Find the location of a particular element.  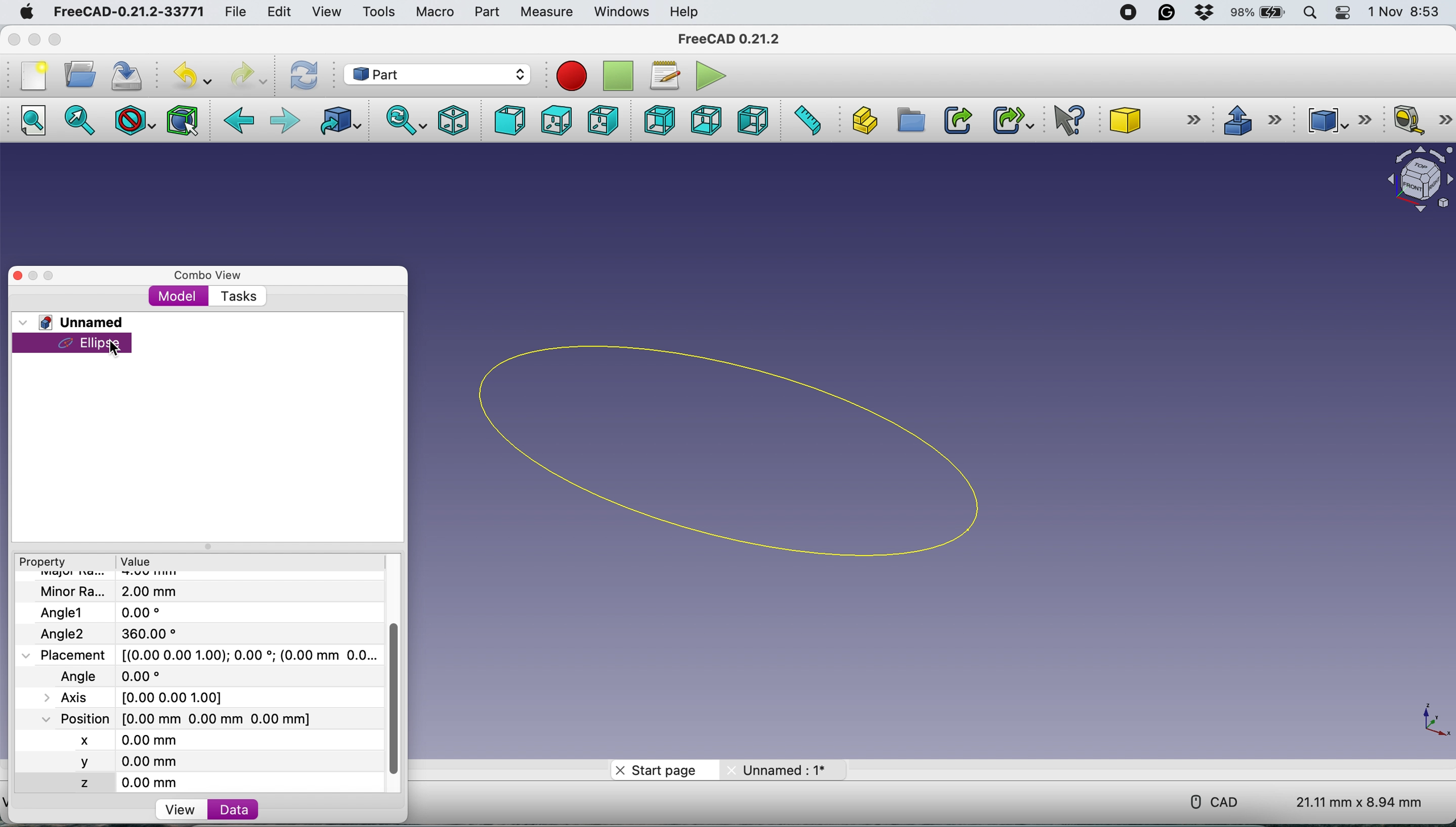

front is located at coordinates (511, 122).